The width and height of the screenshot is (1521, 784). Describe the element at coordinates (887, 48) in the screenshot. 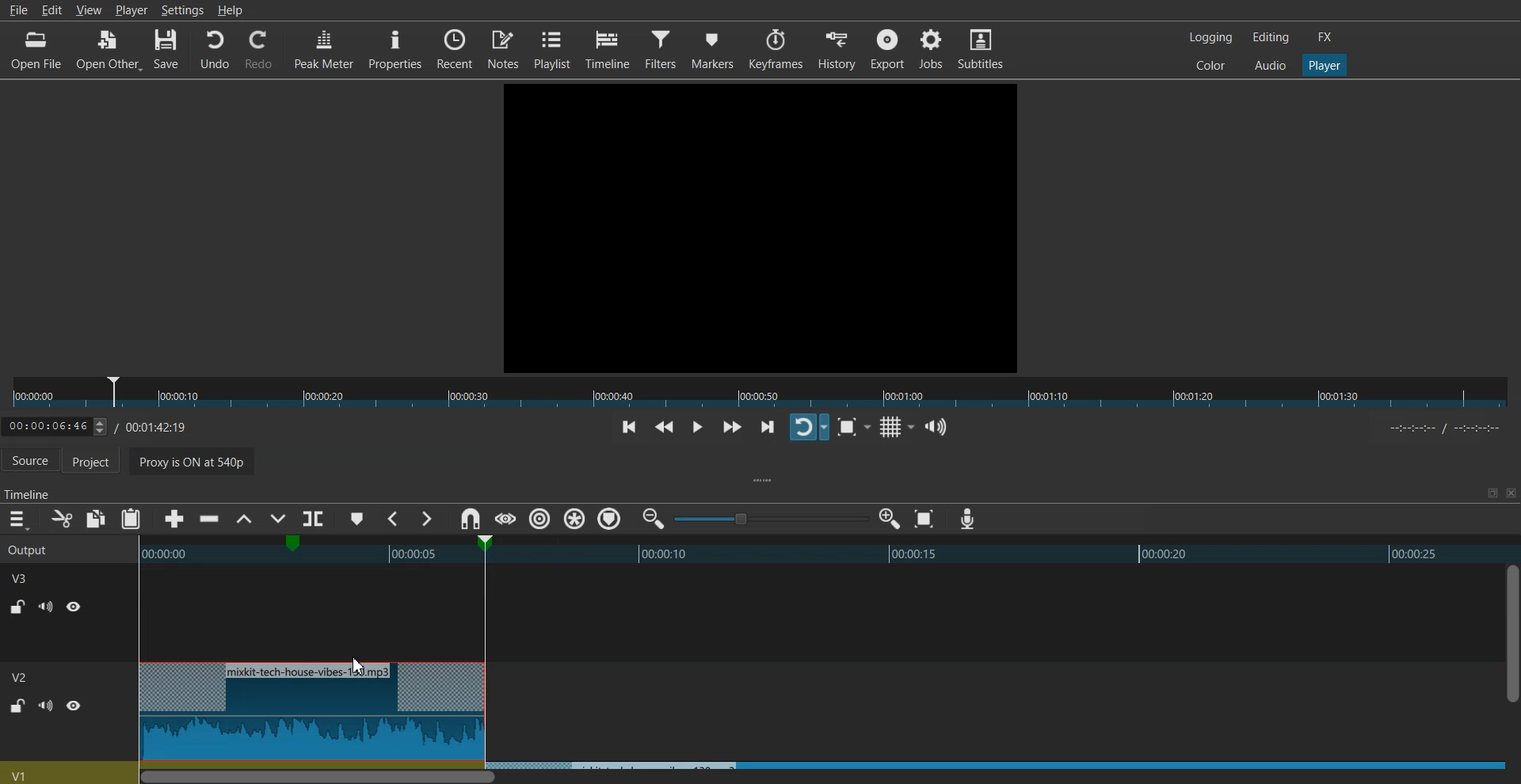

I see `Export` at that location.